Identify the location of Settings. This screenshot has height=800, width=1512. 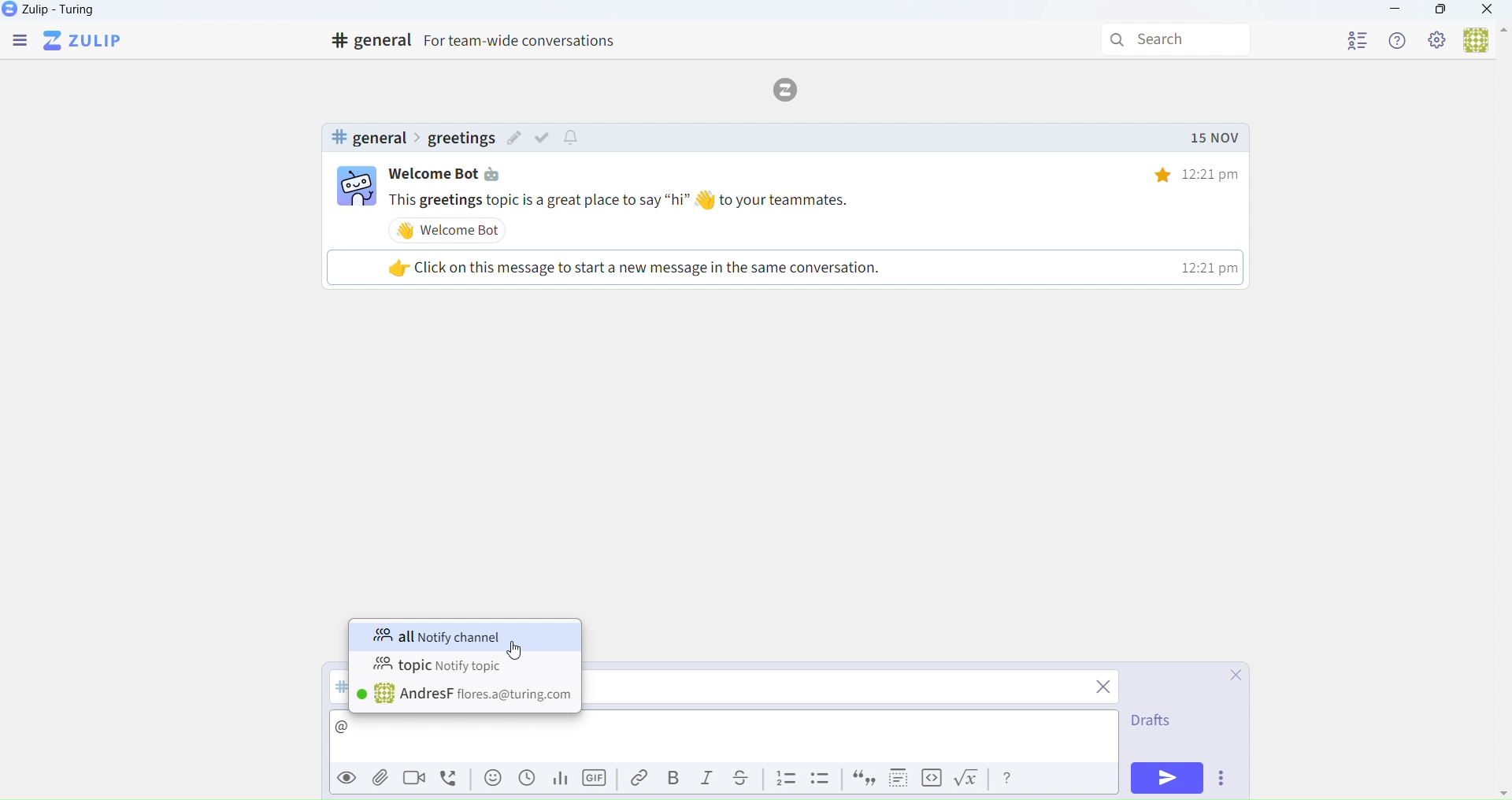
(1438, 41).